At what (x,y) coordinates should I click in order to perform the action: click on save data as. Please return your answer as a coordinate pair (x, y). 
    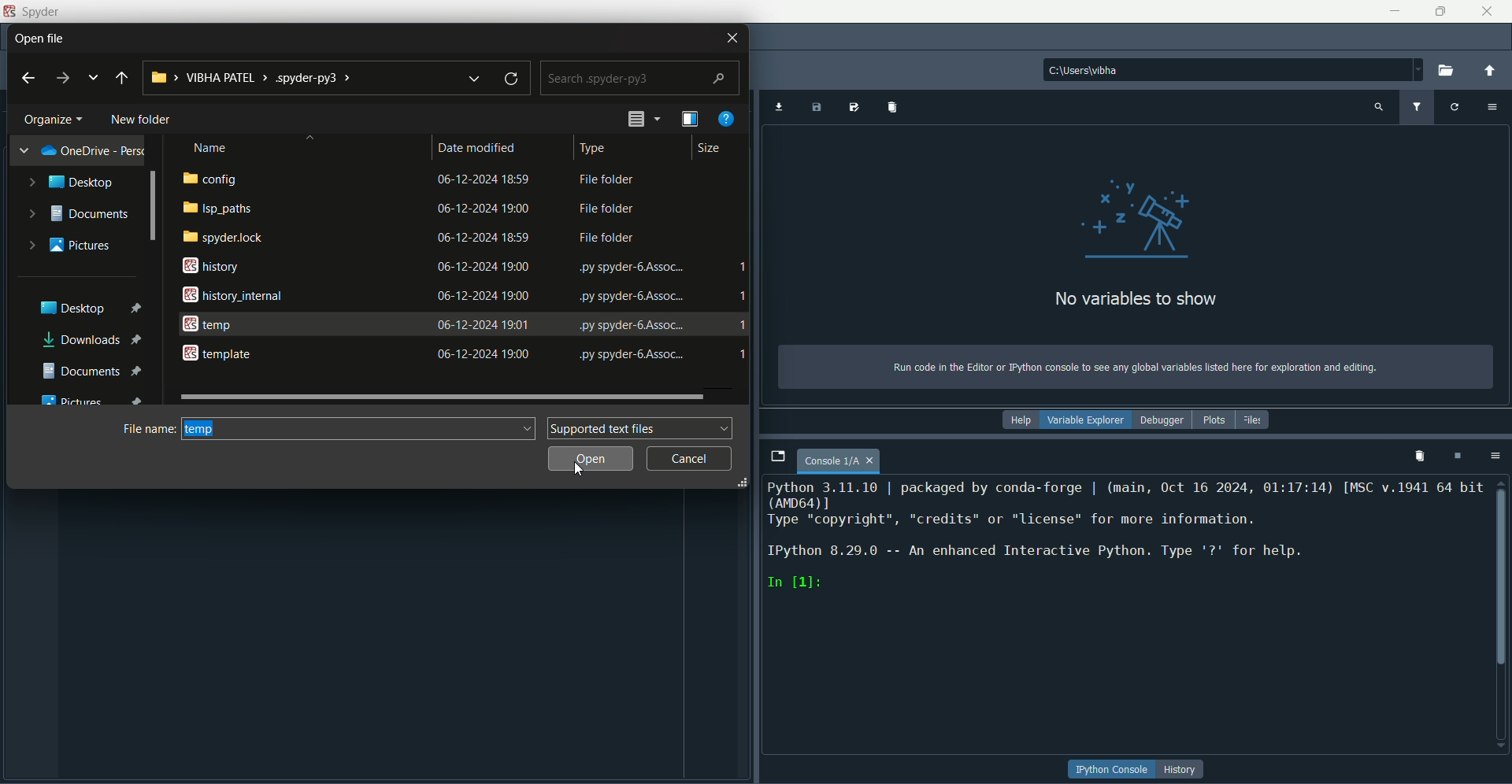
    Looking at the image, I should click on (853, 107).